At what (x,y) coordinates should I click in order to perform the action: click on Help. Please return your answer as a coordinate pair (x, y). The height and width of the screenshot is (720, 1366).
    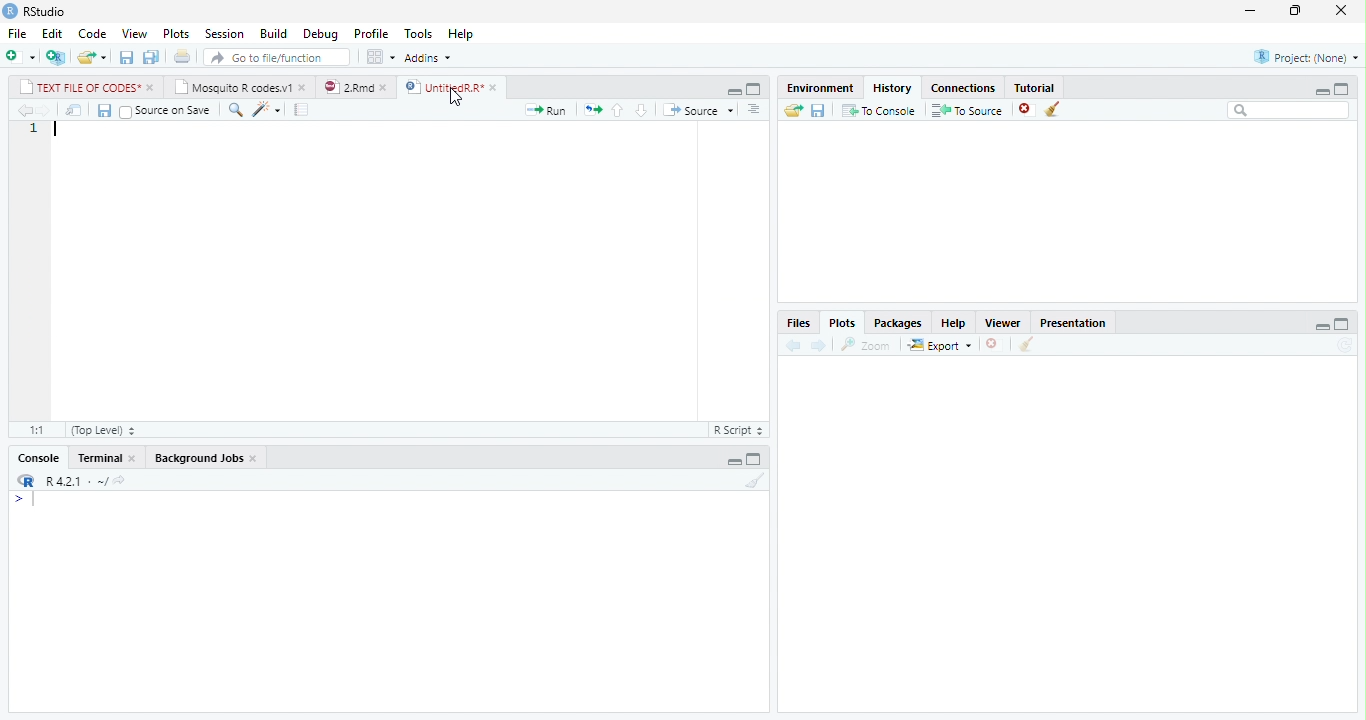
    Looking at the image, I should click on (462, 34).